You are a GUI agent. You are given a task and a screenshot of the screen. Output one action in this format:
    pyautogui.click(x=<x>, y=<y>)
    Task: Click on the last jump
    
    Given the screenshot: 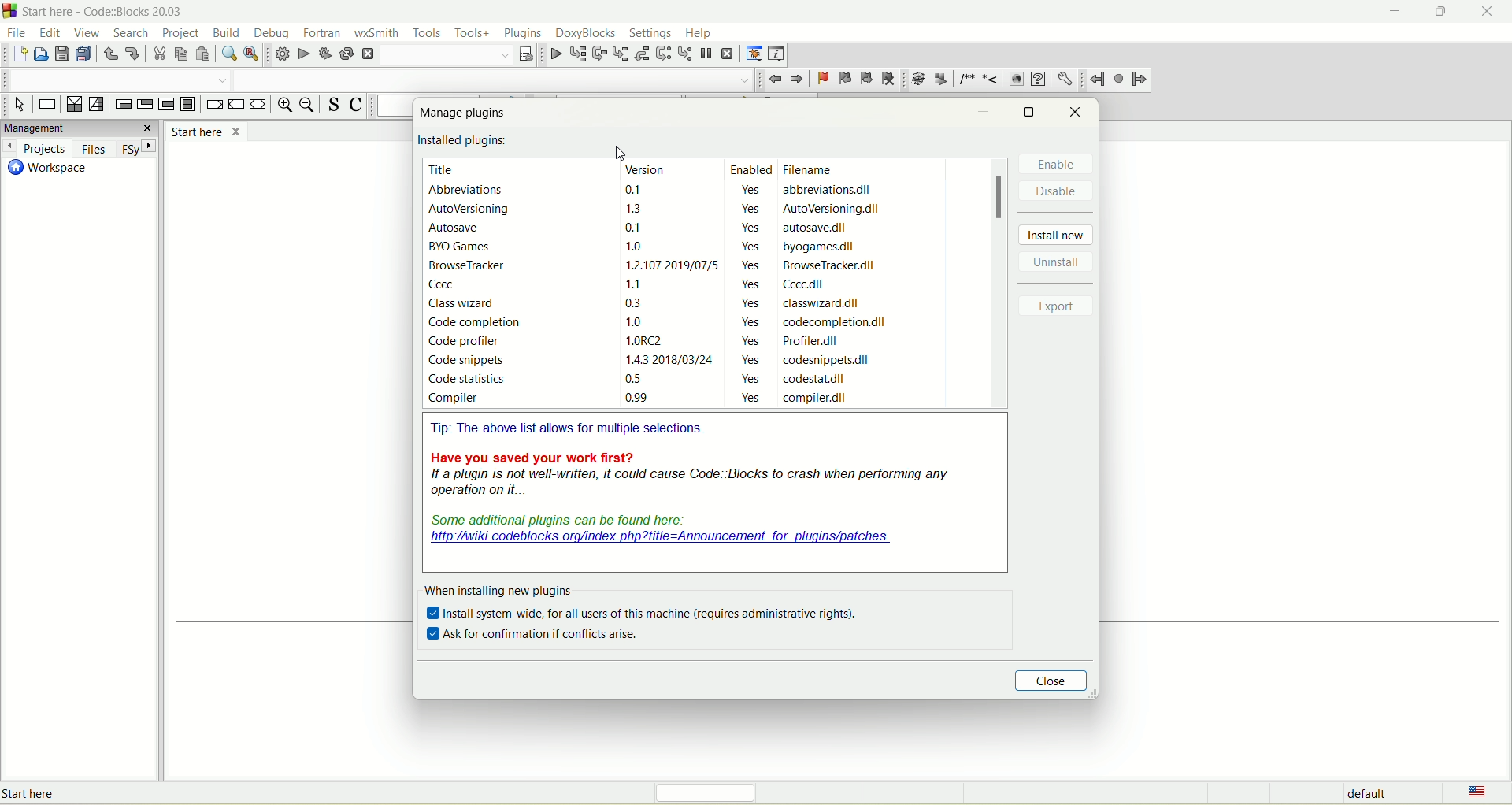 What is the action you would take?
    pyautogui.click(x=1118, y=78)
    